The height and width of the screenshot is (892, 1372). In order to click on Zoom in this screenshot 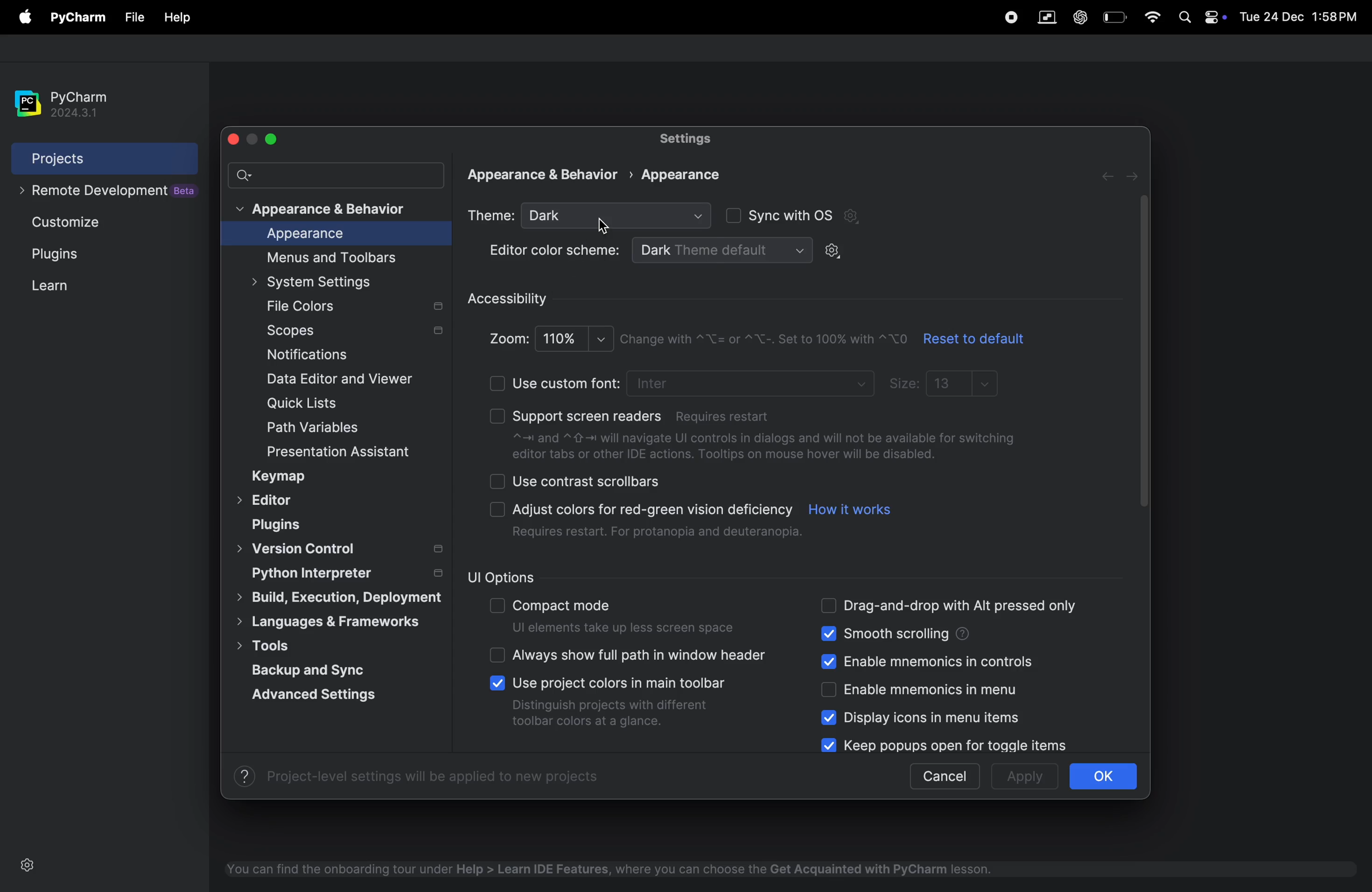, I will do `click(506, 338)`.